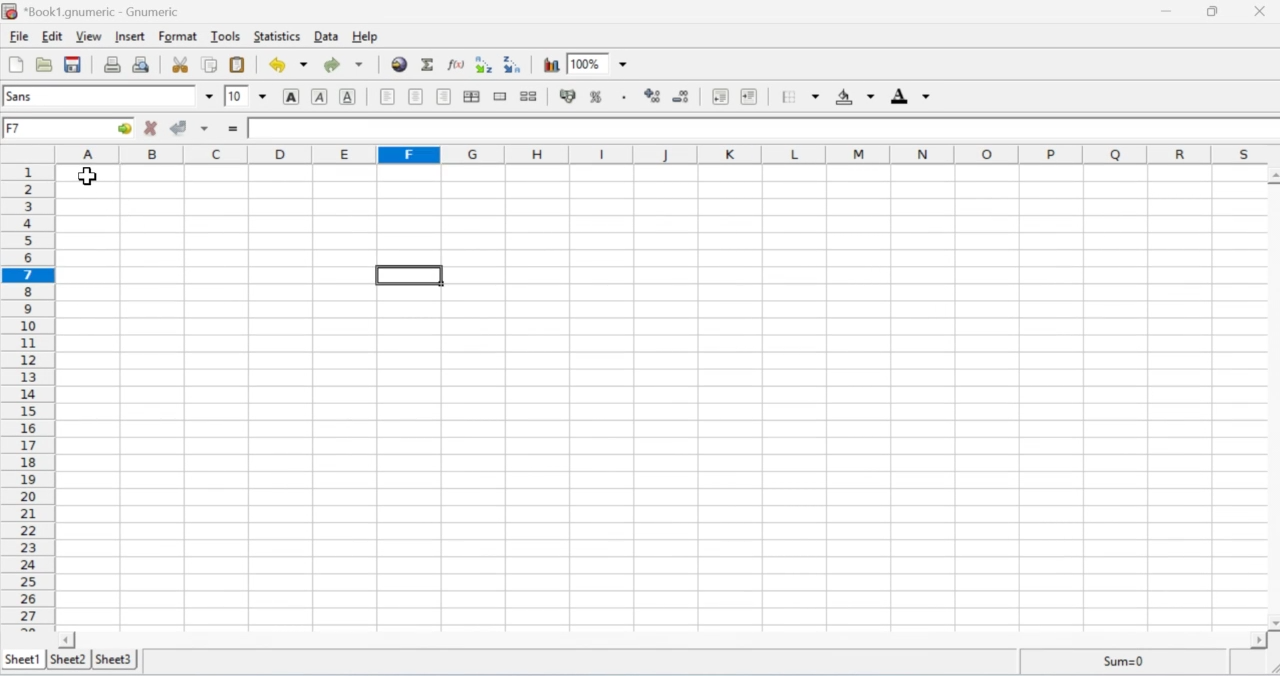 Image resolution: width=1280 pixels, height=676 pixels. I want to click on Increase the number of decimals displayed, so click(650, 93).